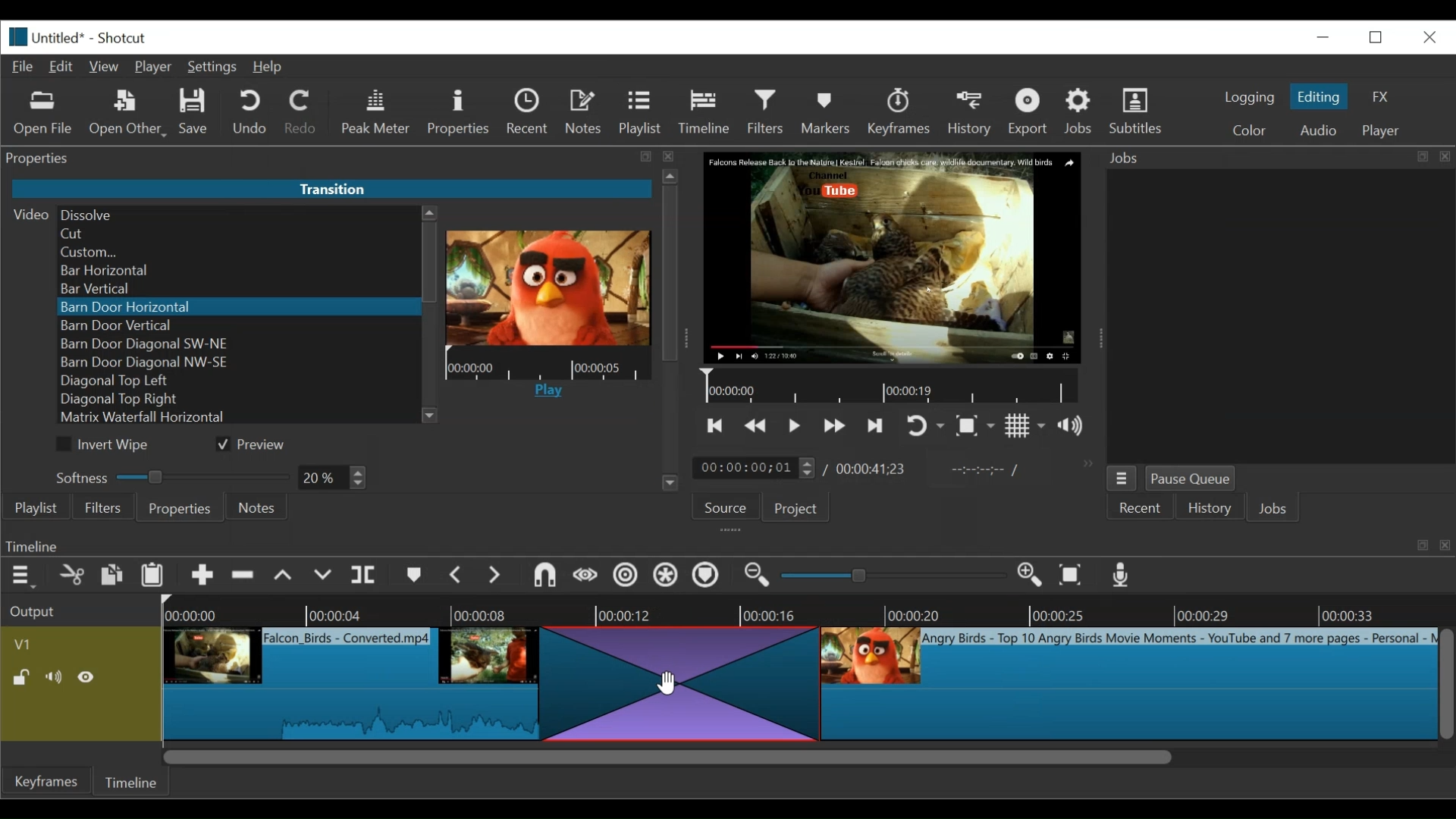 Image resolution: width=1456 pixels, height=819 pixels. Describe the element at coordinates (890, 576) in the screenshot. I see `Adjust Zoom Timeline Slider` at that location.